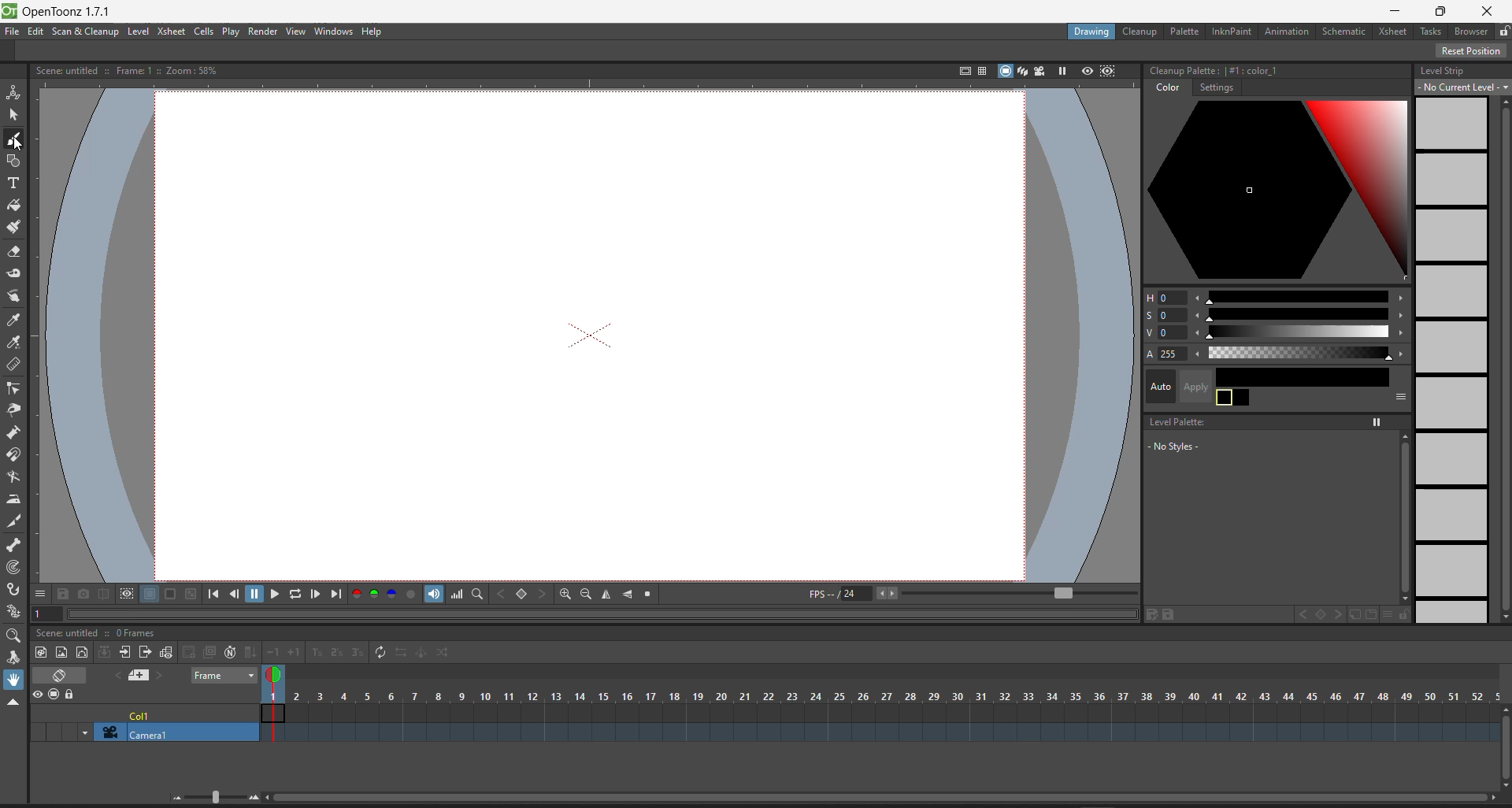  I want to click on checkered background, so click(191, 593).